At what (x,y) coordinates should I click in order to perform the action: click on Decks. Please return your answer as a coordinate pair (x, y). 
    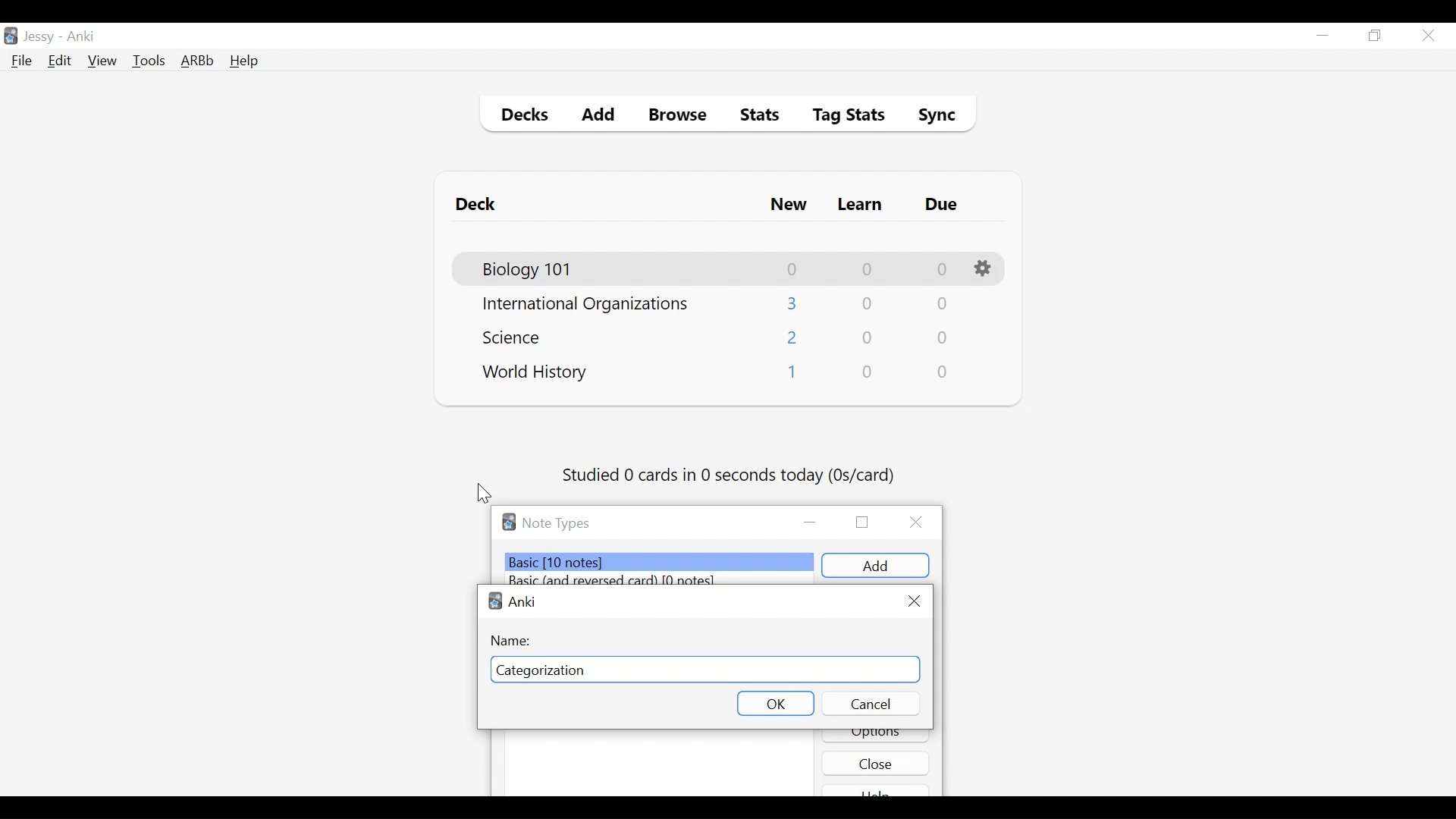
    Looking at the image, I should click on (521, 117).